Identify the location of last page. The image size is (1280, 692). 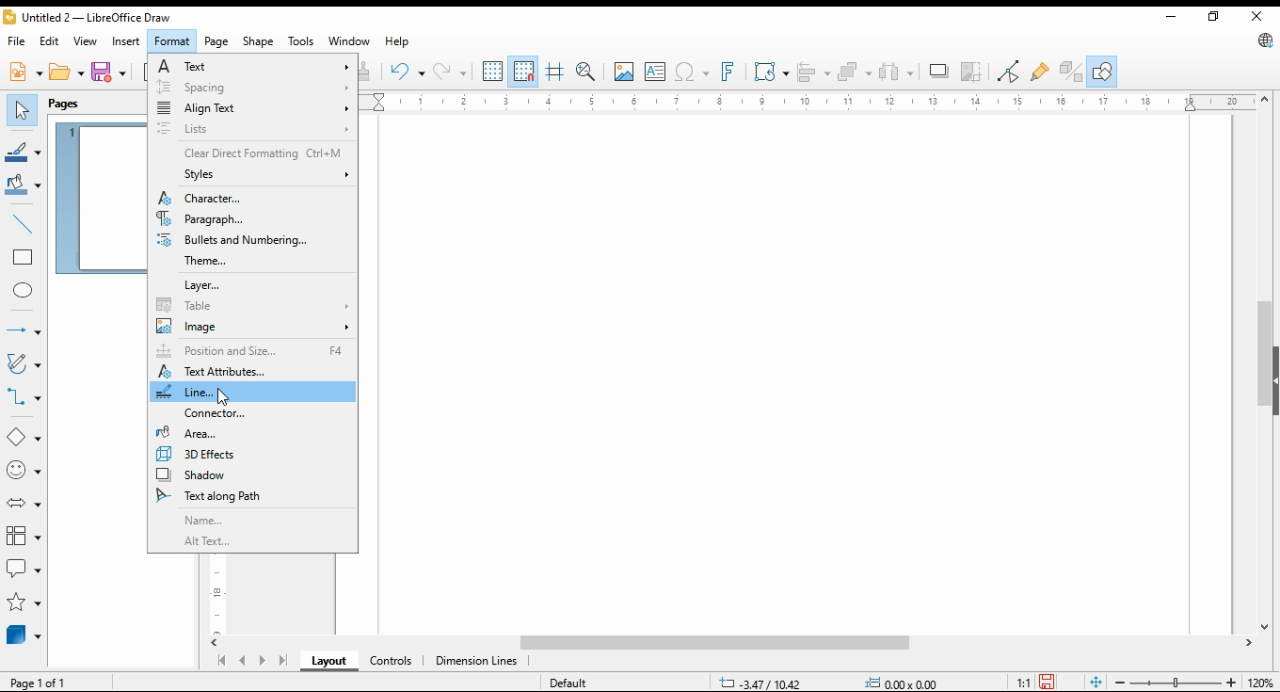
(282, 662).